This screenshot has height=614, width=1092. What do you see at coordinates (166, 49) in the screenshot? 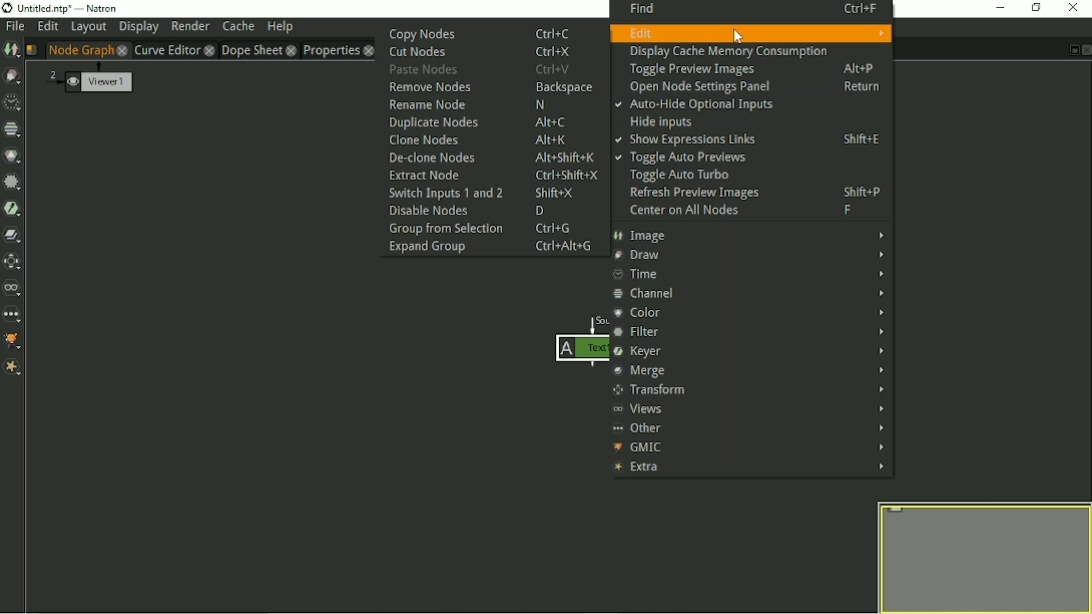
I see `Curve Editor` at bounding box center [166, 49].